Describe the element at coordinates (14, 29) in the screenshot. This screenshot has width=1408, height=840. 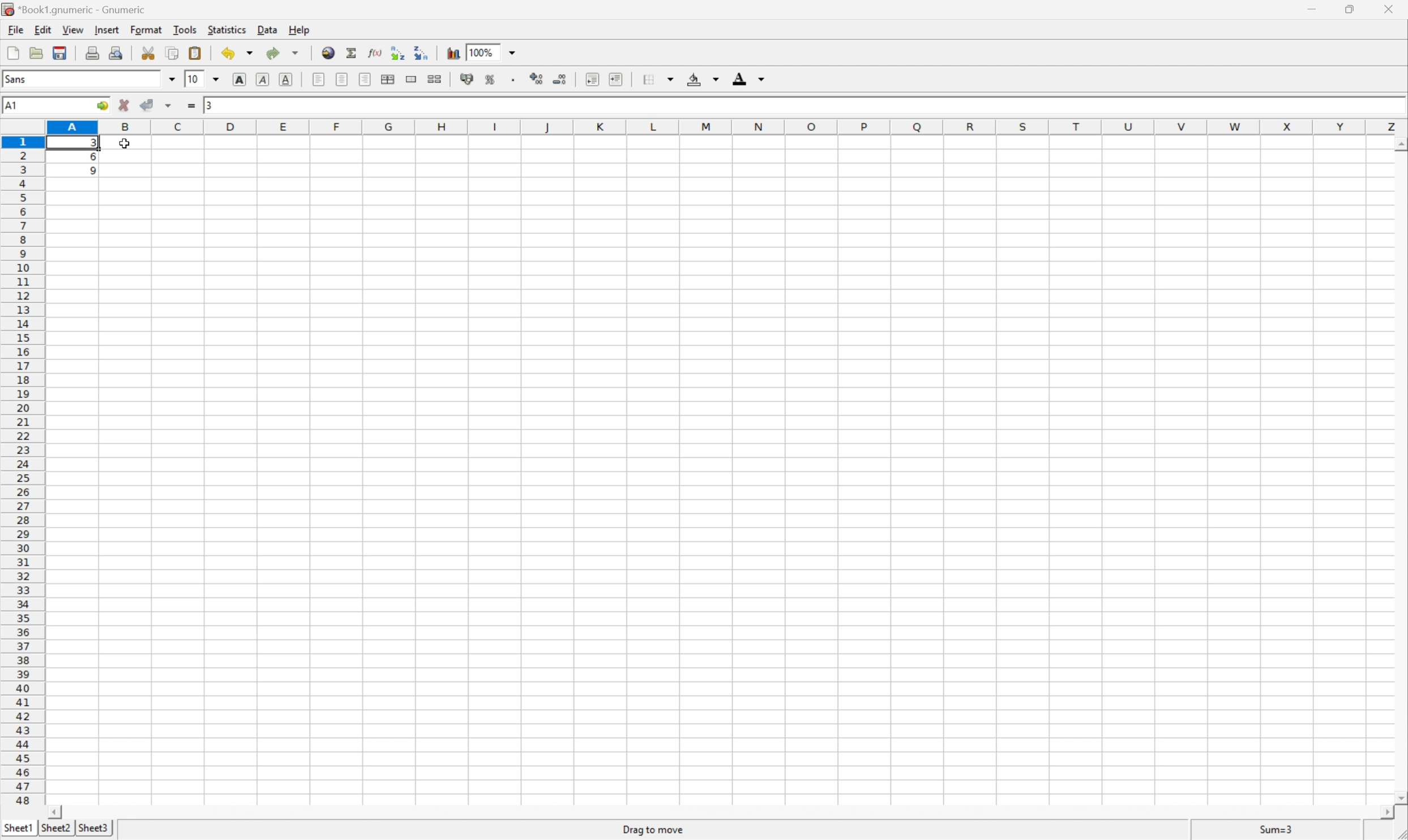
I see `File` at that location.